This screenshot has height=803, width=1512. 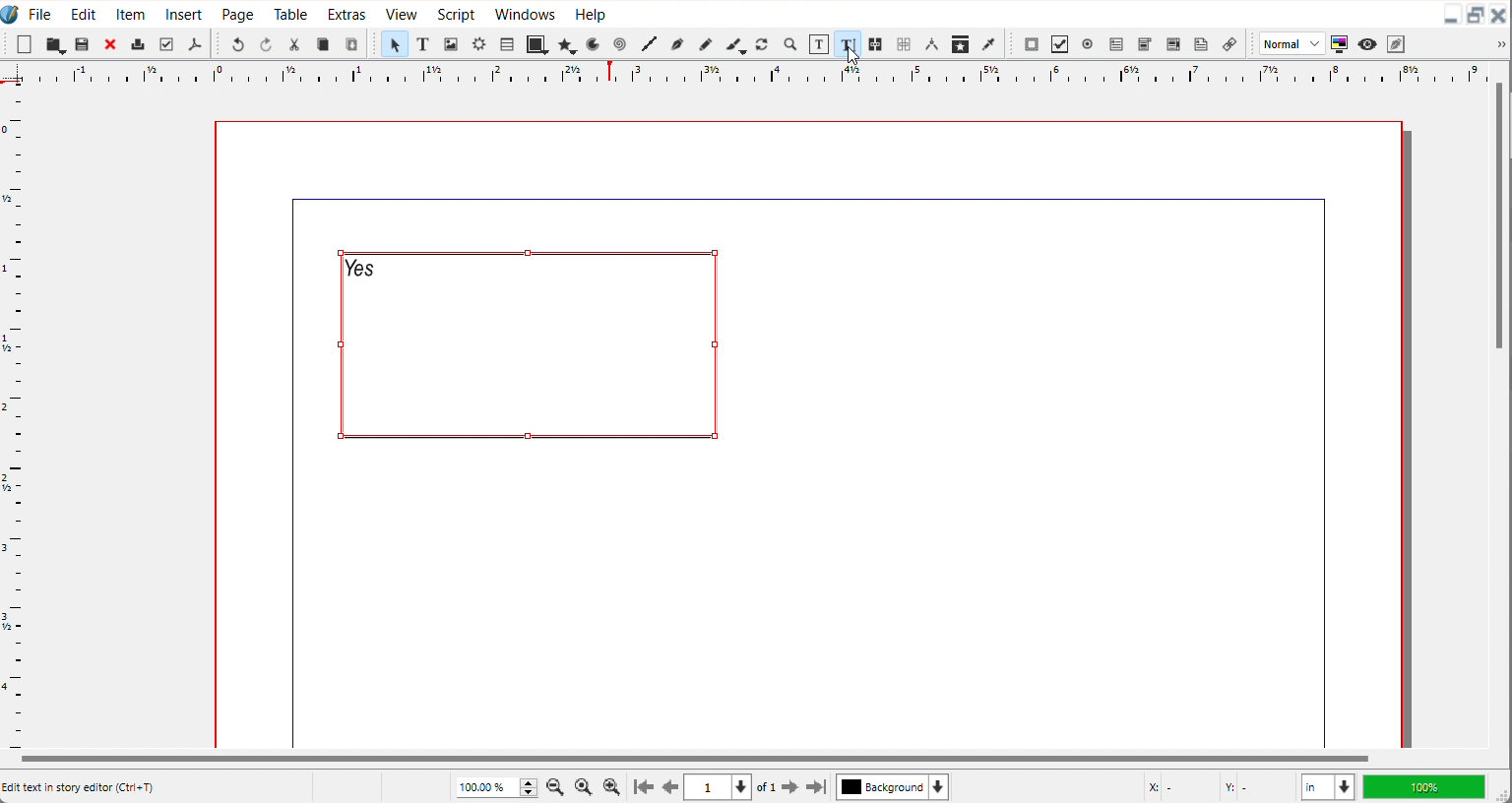 I want to click on X,Y Co-ordinate, so click(x=1216, y=786).